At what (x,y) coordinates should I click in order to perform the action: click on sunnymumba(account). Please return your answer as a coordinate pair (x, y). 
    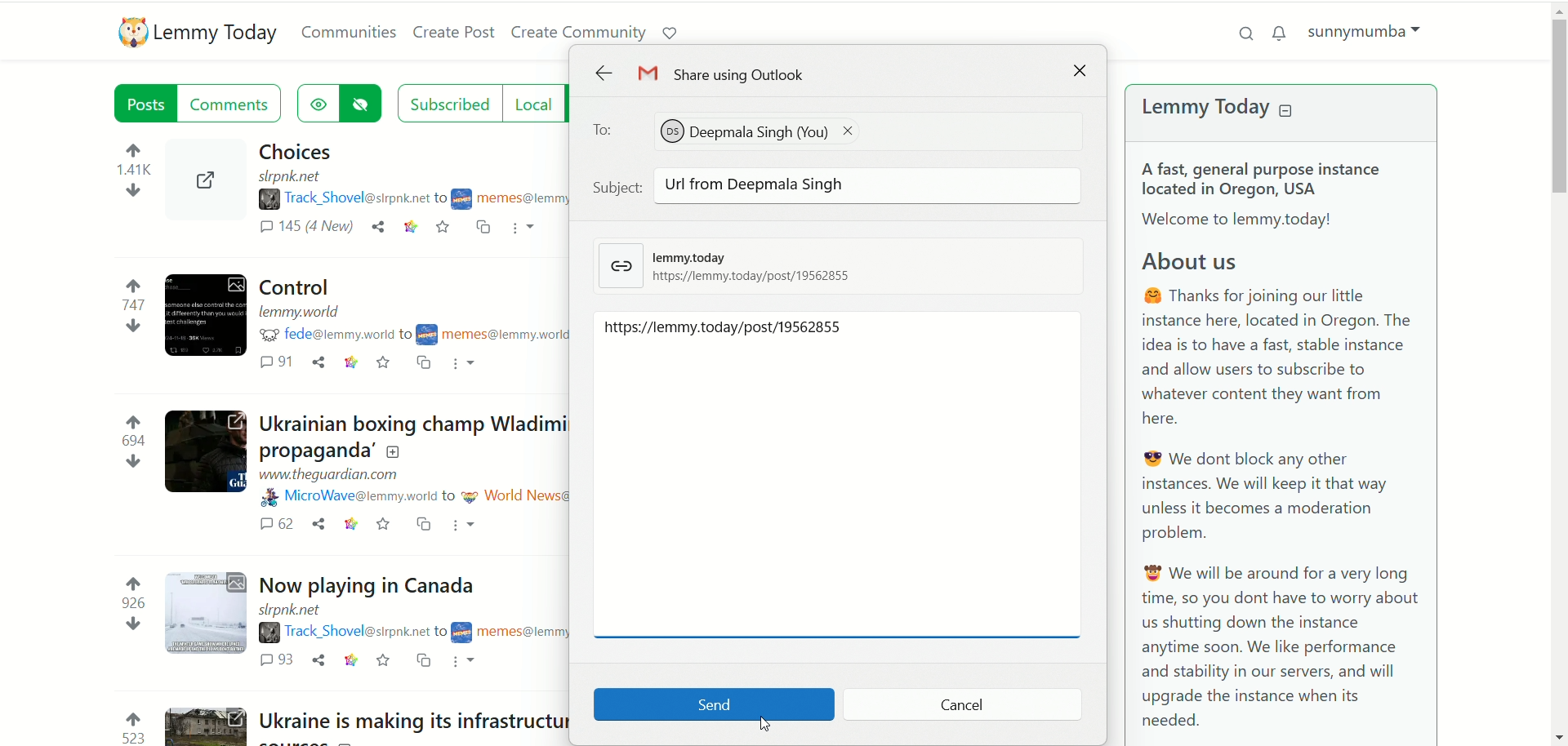
    Looking at the image, I should click on (1374, 34).